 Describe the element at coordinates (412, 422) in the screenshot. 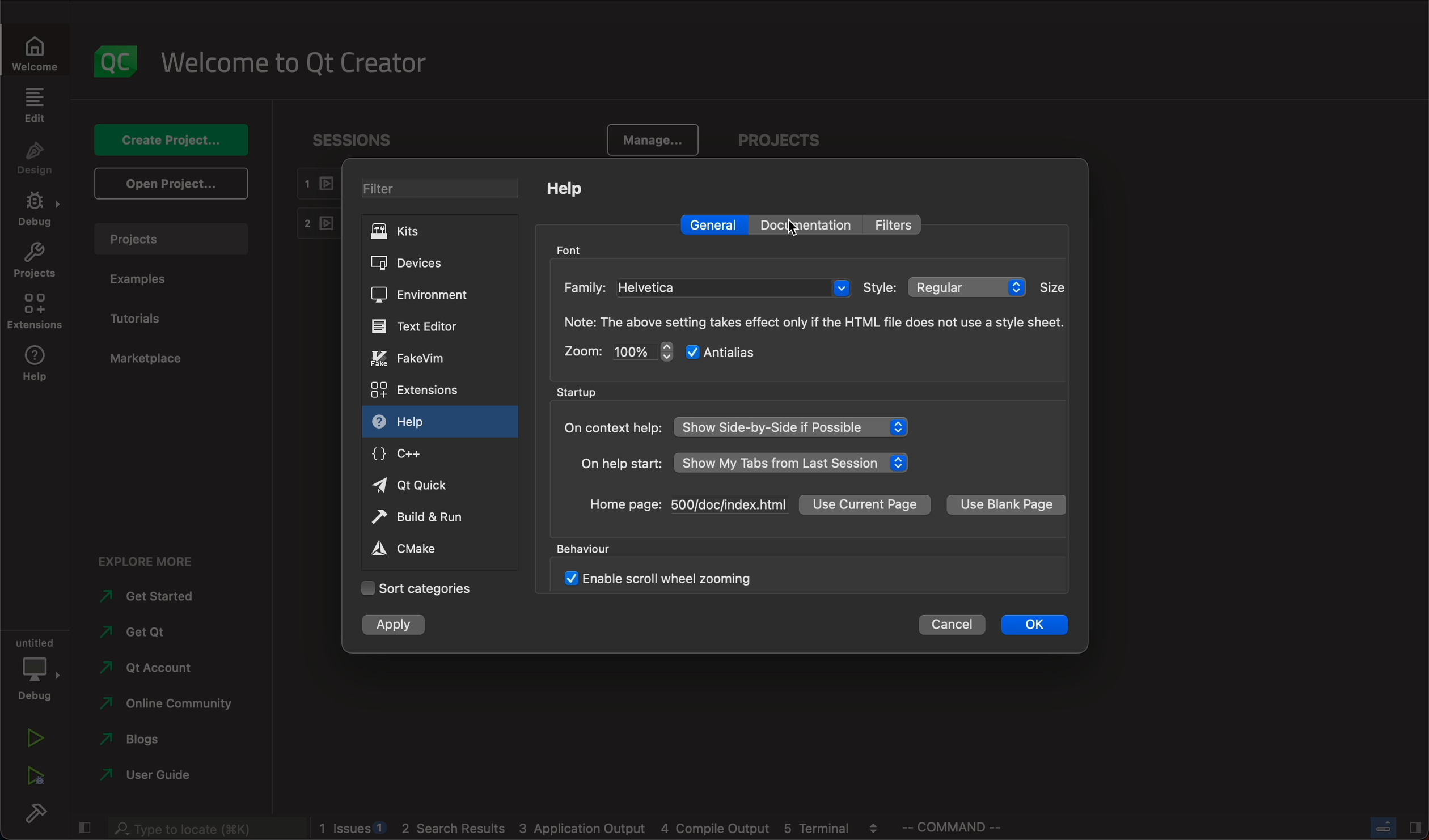

I see `help` at that location.